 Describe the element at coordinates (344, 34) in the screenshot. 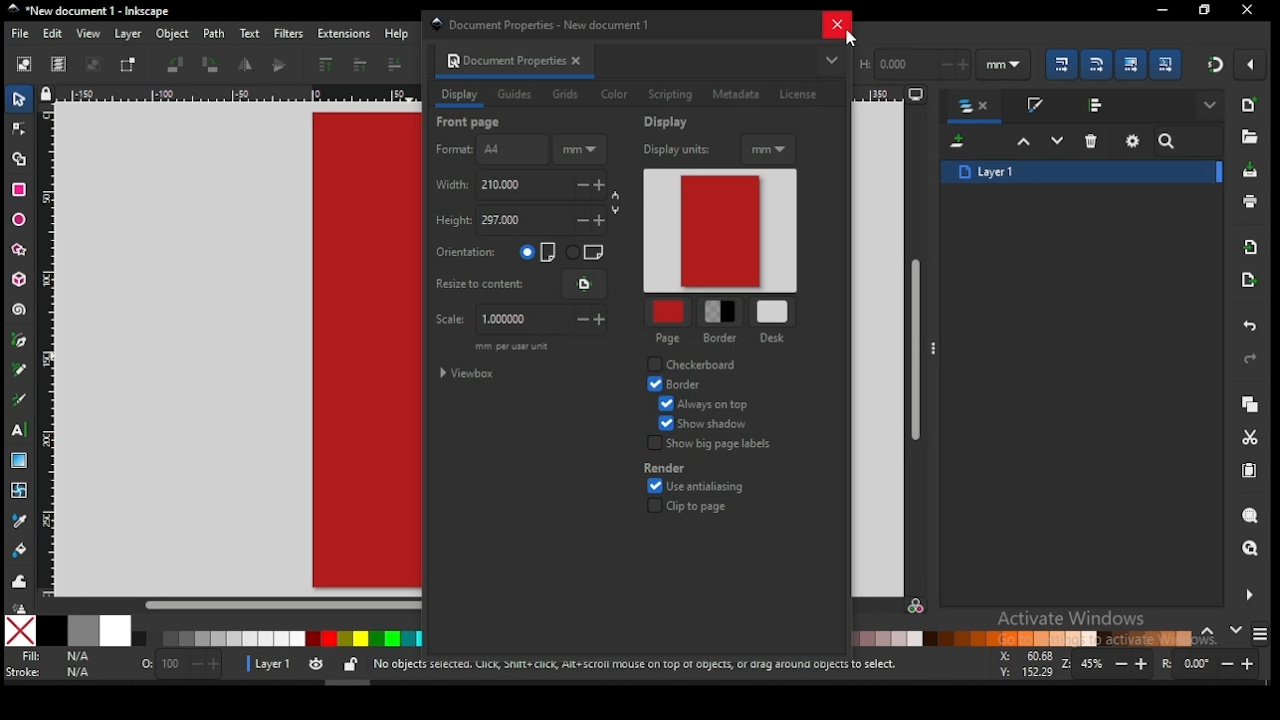

I see `extensions` at that location.